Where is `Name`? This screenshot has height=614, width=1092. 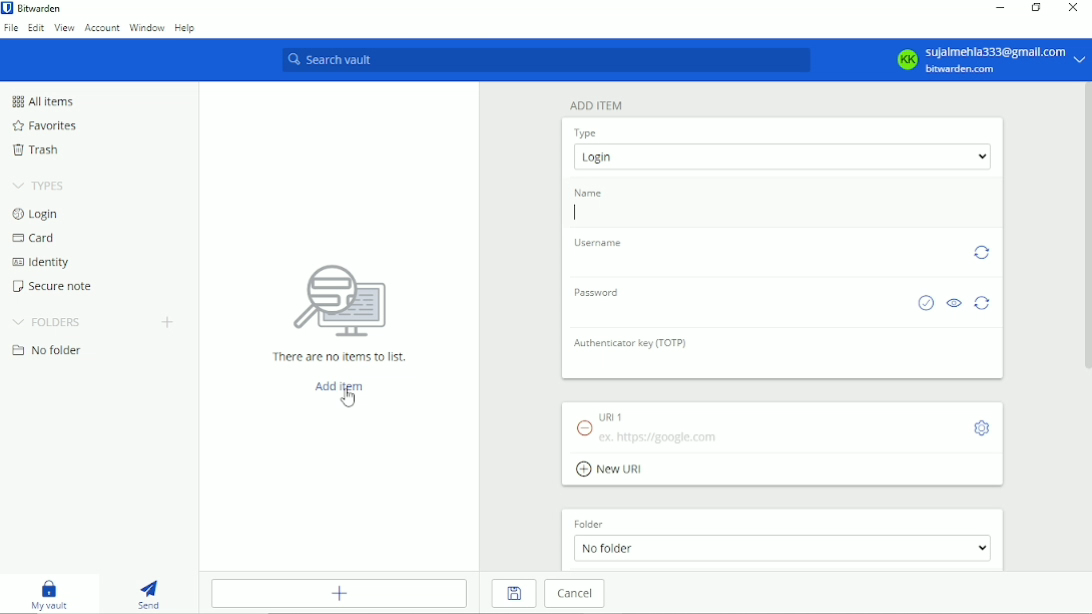
Name is located at coordinates (586, 193).